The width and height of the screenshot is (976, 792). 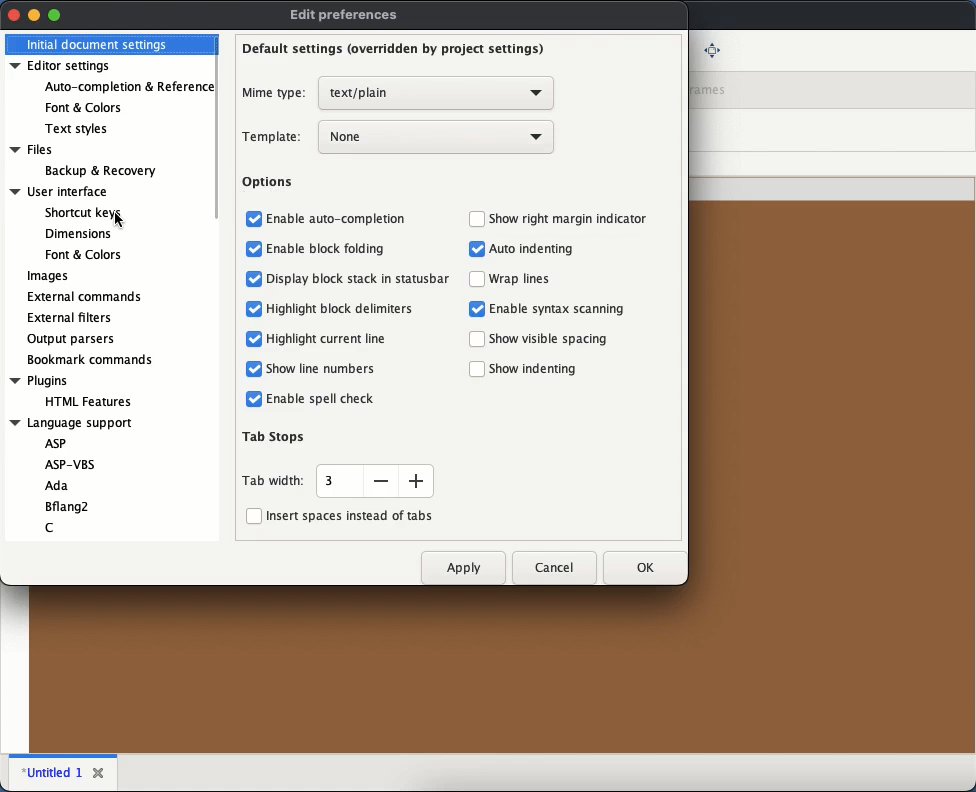 I want to click on checkbox enabled, so click(x=476, y=308).